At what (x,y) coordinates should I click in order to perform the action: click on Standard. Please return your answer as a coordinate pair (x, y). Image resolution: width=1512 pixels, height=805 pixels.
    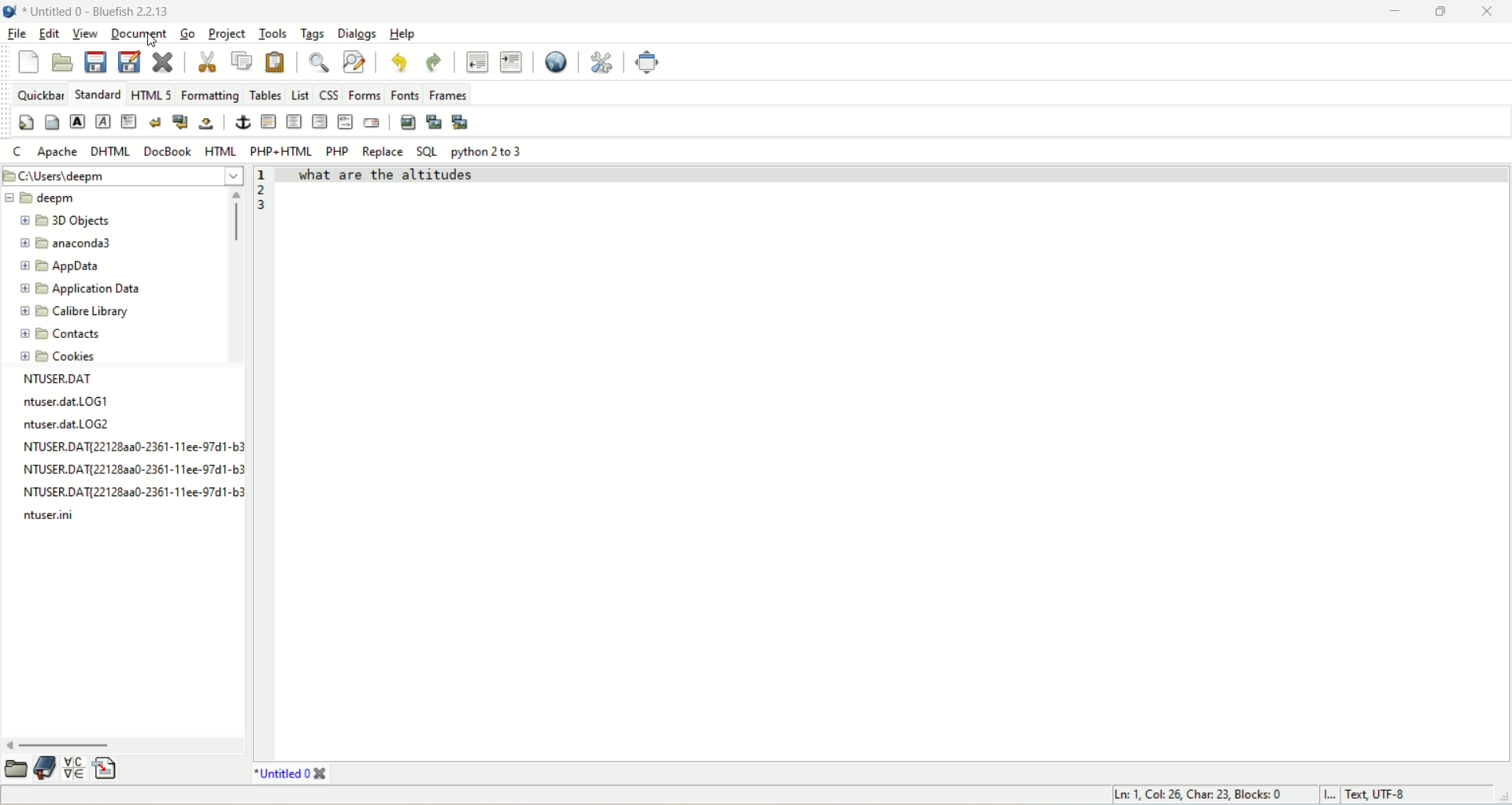
    Looking at the image, I should click on (98, 94).